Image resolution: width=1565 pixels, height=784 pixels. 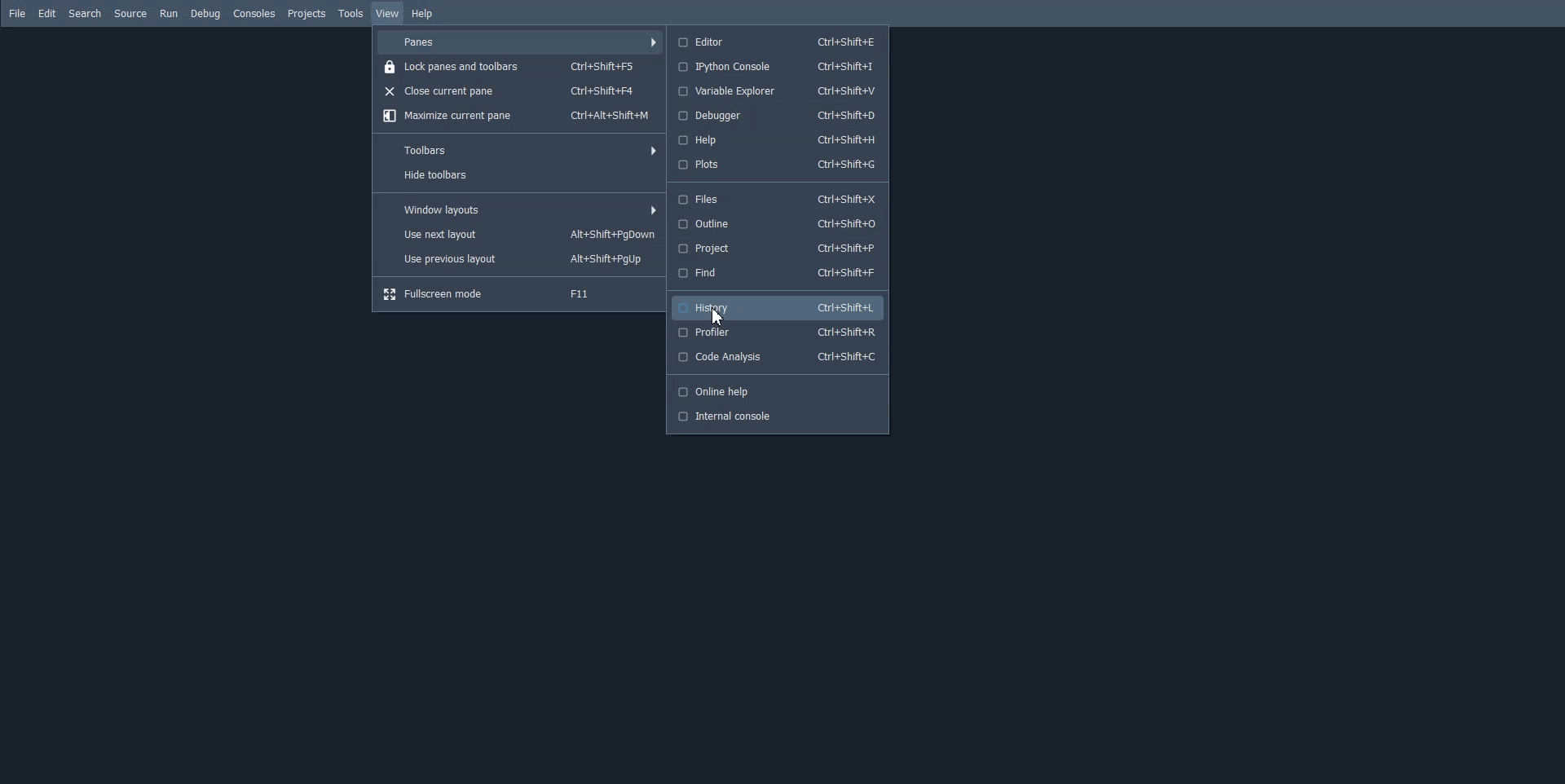 I want to click on Variable Explorer, so click(x=776, y=91).